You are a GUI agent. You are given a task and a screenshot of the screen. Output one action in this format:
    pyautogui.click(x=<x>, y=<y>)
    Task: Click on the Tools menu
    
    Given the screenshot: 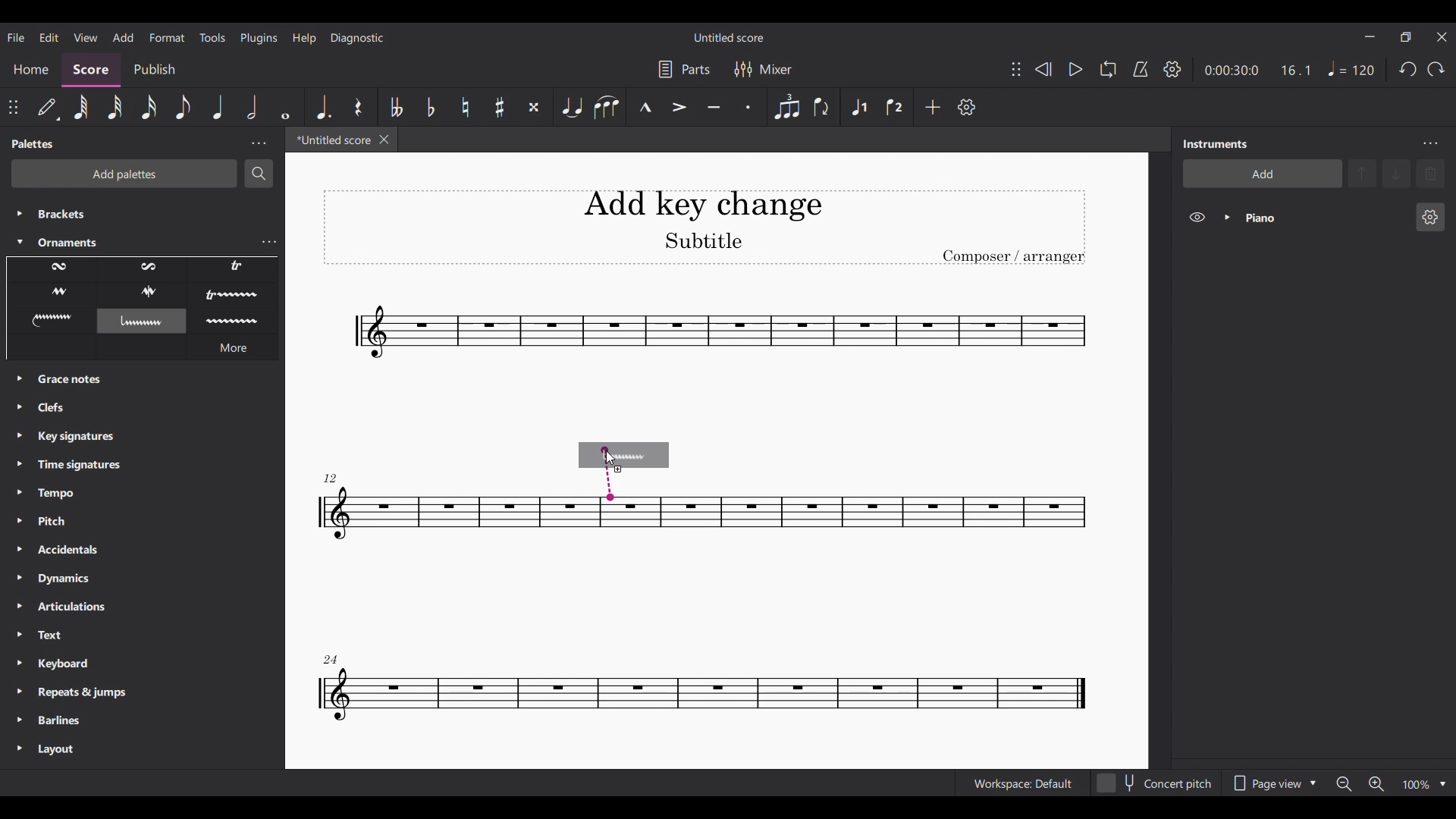 What is the action you would take?
    pyautogui.click(x=212, y=37)
    